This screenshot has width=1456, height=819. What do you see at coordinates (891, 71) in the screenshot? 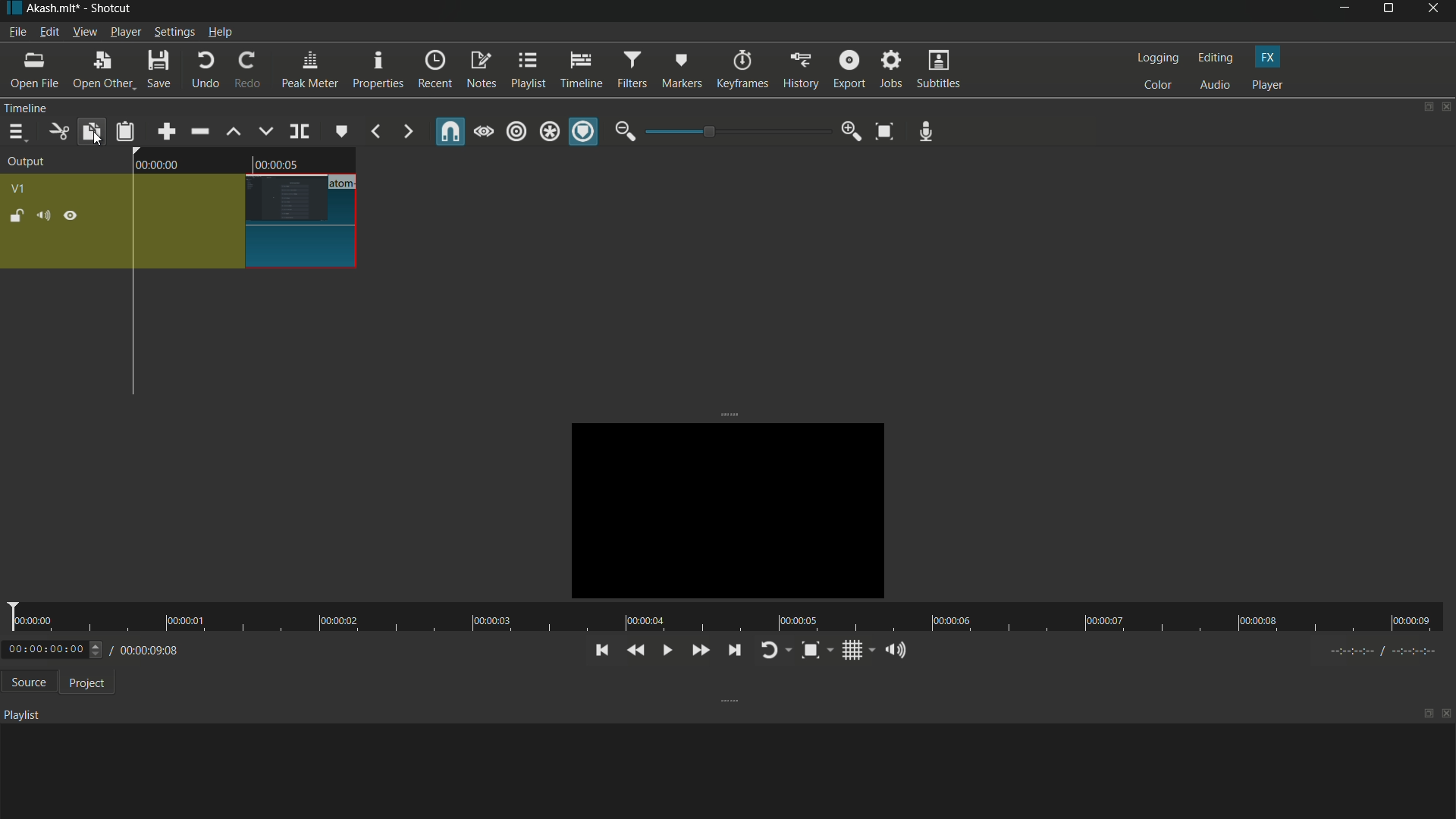
I see `jobs` at bounding box center [891, 71].